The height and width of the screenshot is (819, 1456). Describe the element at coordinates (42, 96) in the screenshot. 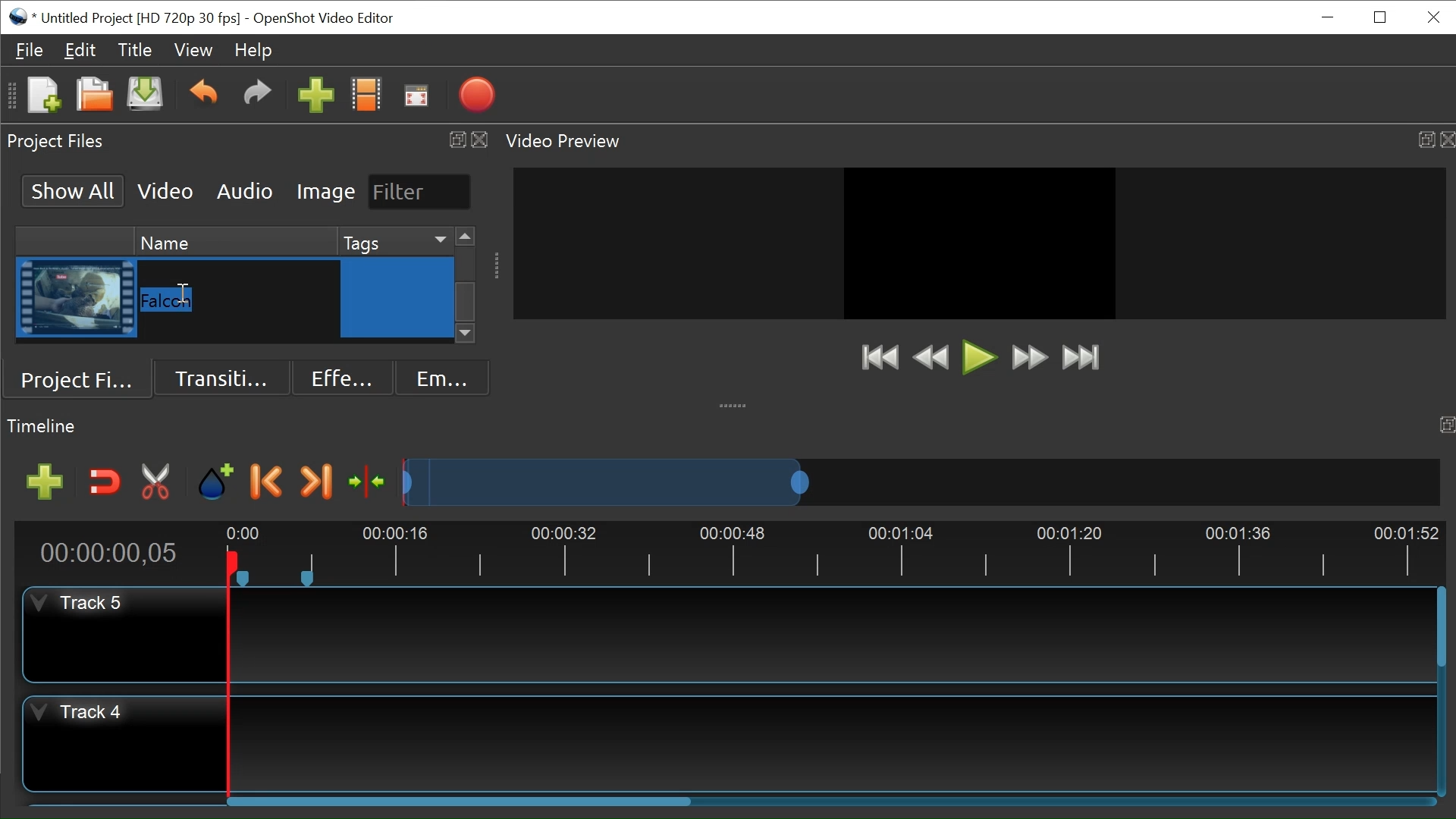

I see `New Project` at that location.